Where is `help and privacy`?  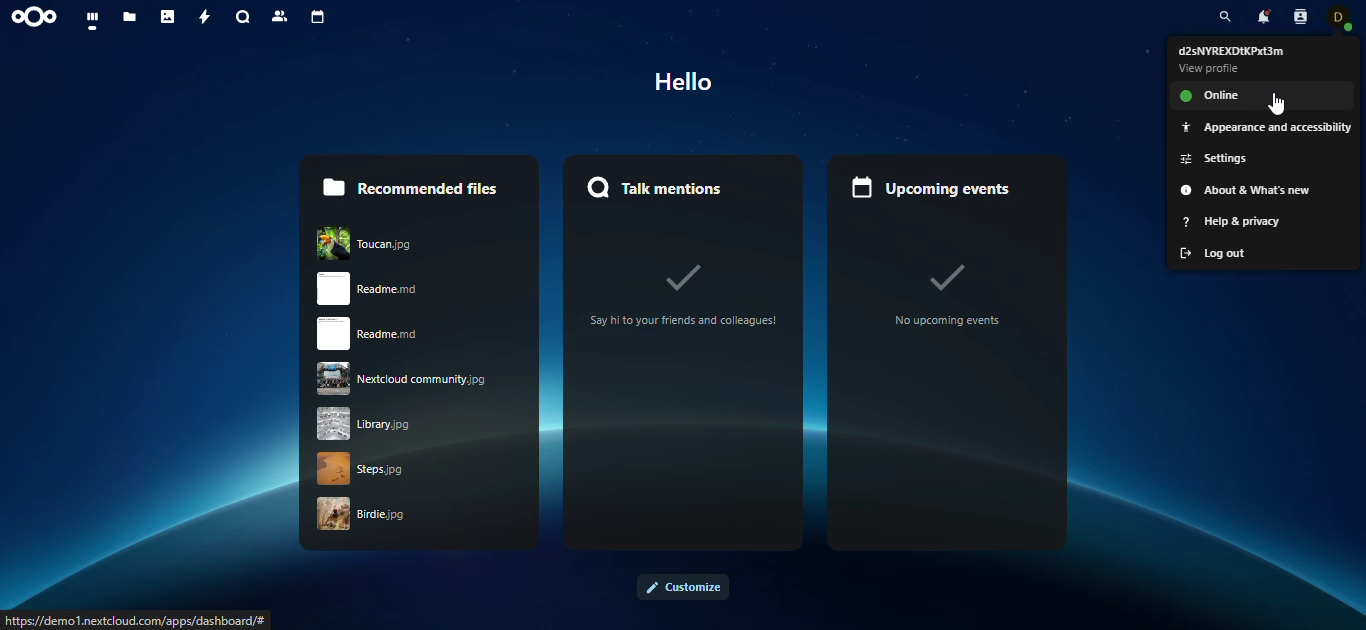 help and privacy is located at coordinates (1239, 221).